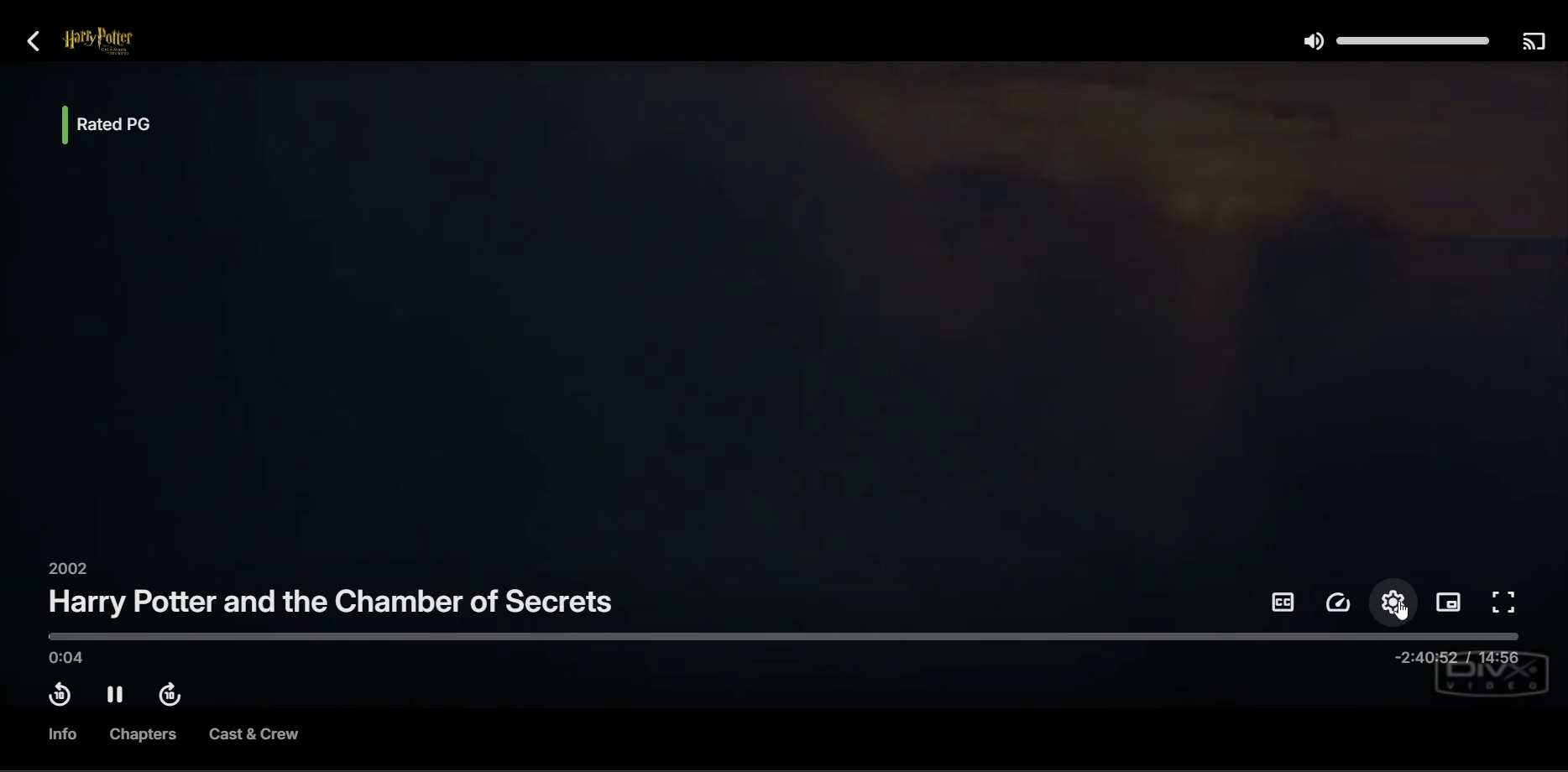 The image size is (1568, 772). Describe the element at coordinates (1405, 608) in the screenshot. I see `cursor` at that location.